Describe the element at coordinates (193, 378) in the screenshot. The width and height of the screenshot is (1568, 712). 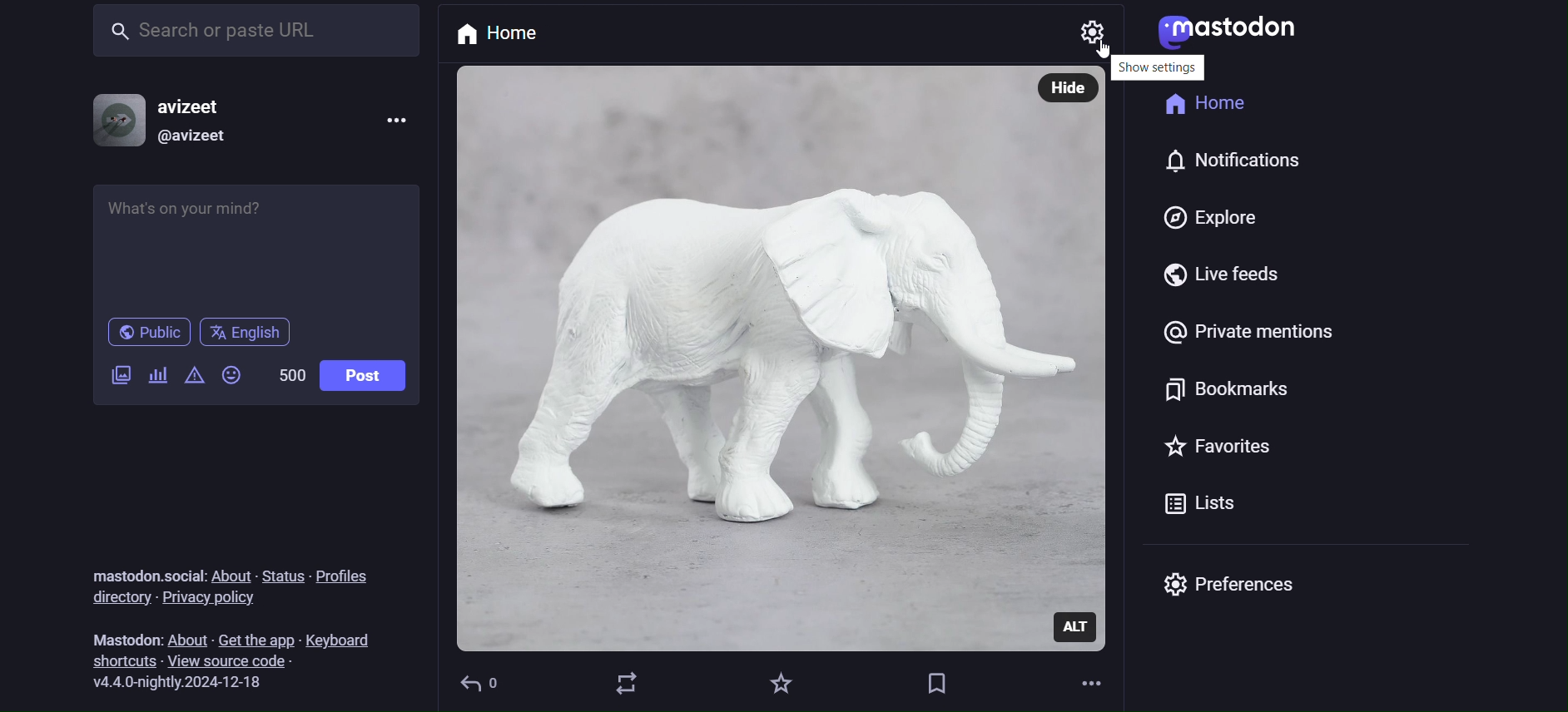
I see `content warning` at that location.